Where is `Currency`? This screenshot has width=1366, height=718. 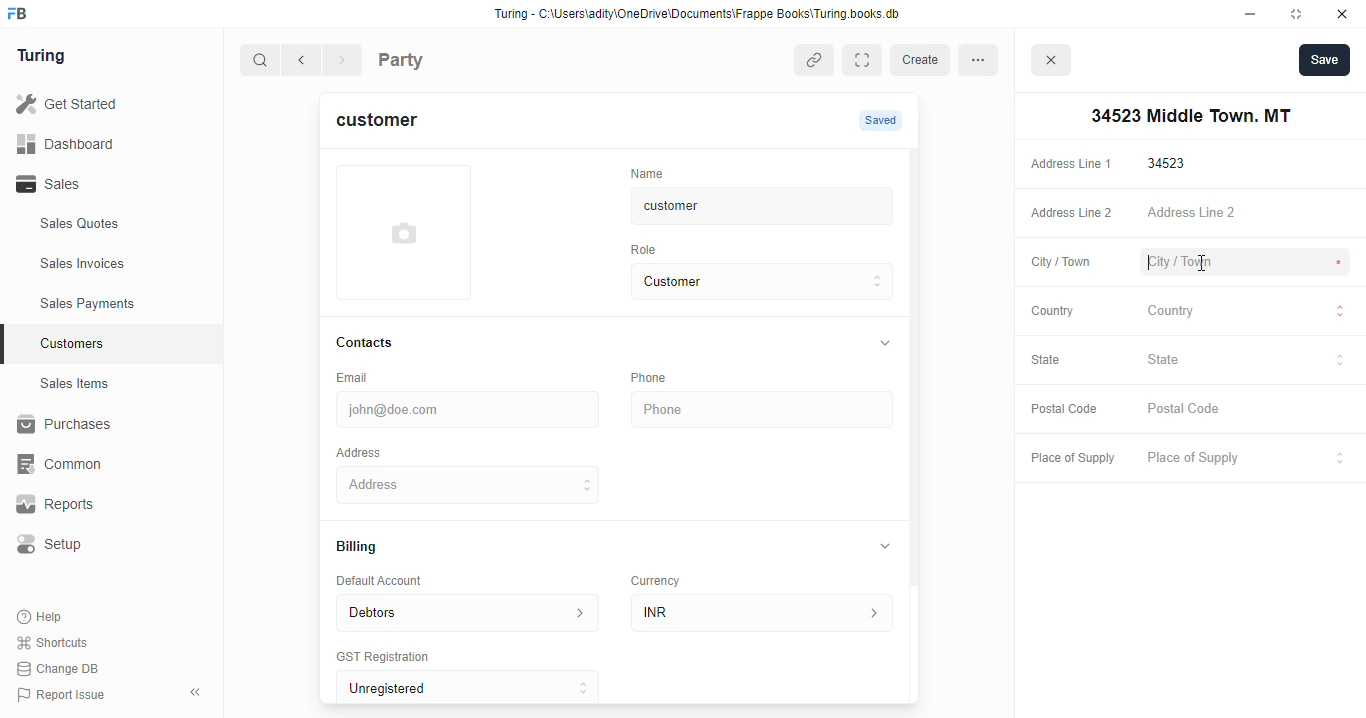 Currency is located at coordinates (664, 576).